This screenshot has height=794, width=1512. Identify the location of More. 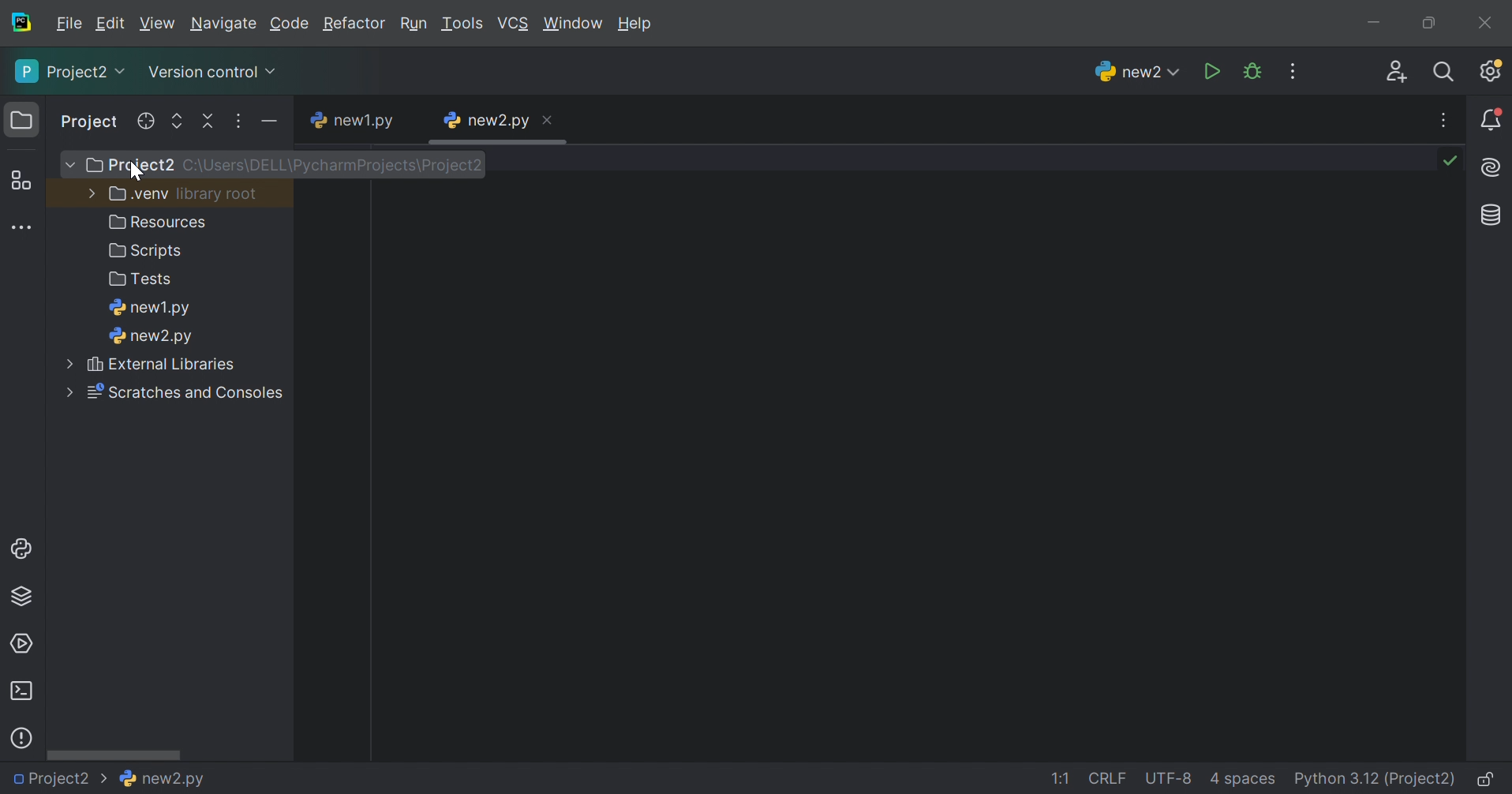
(69, 364).